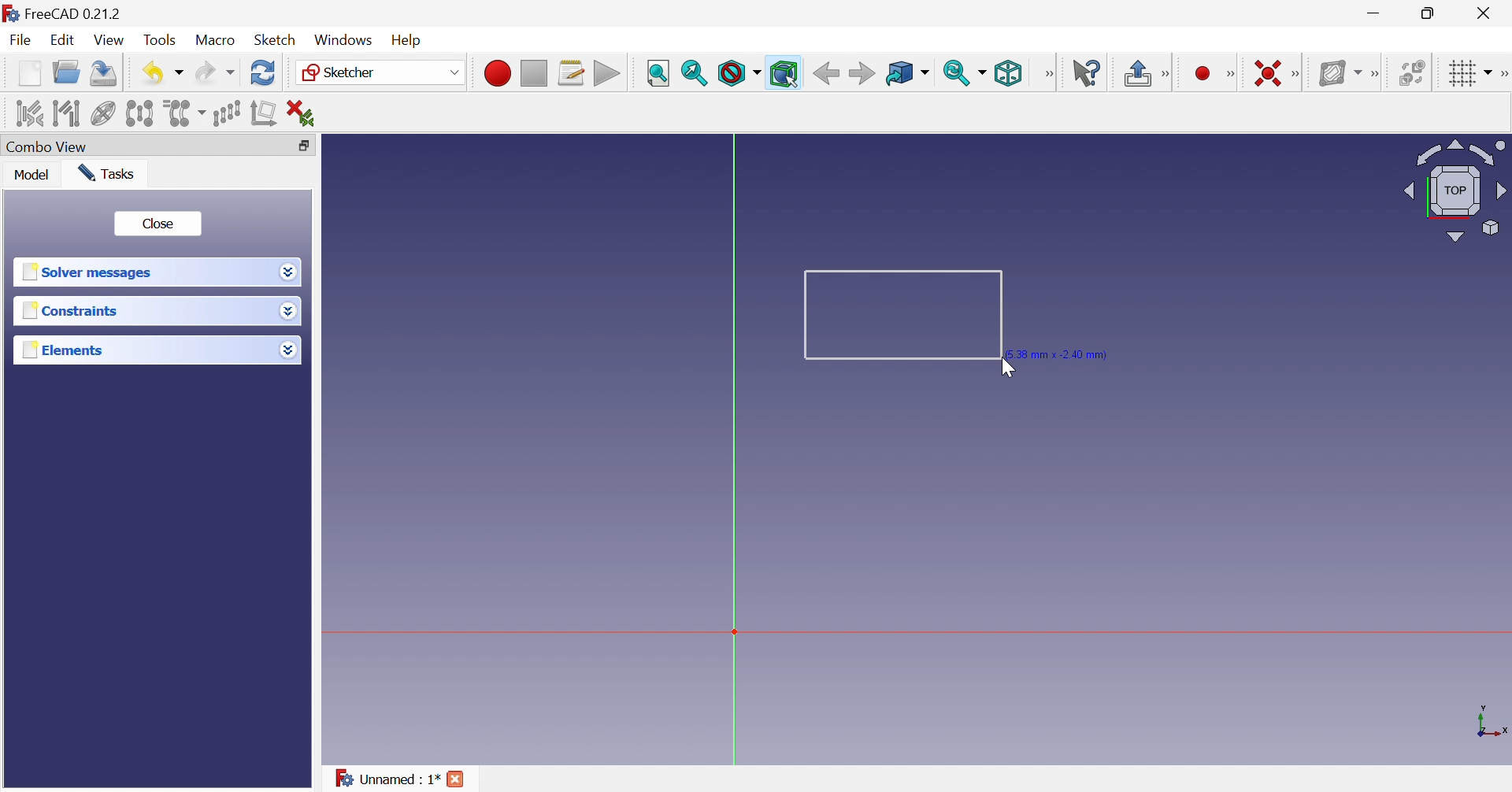  I want to click on Show/hide internal geometry, so click(103, 113).